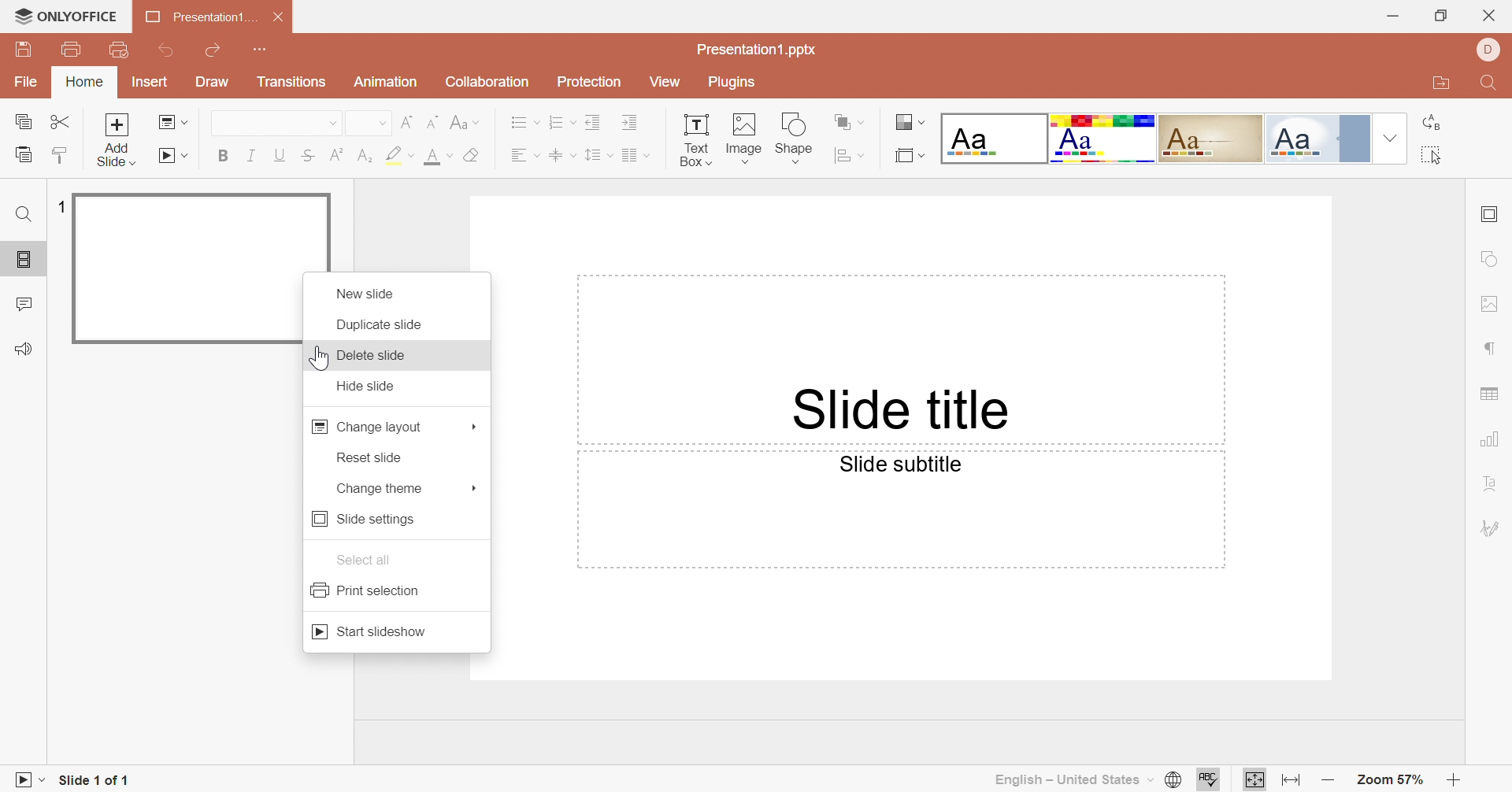 The height and width of the screenshot is (792, 1512). What do you see at coordinates (476, 427) in the screenshot?
I see `More` at bounding box center [476, 427].